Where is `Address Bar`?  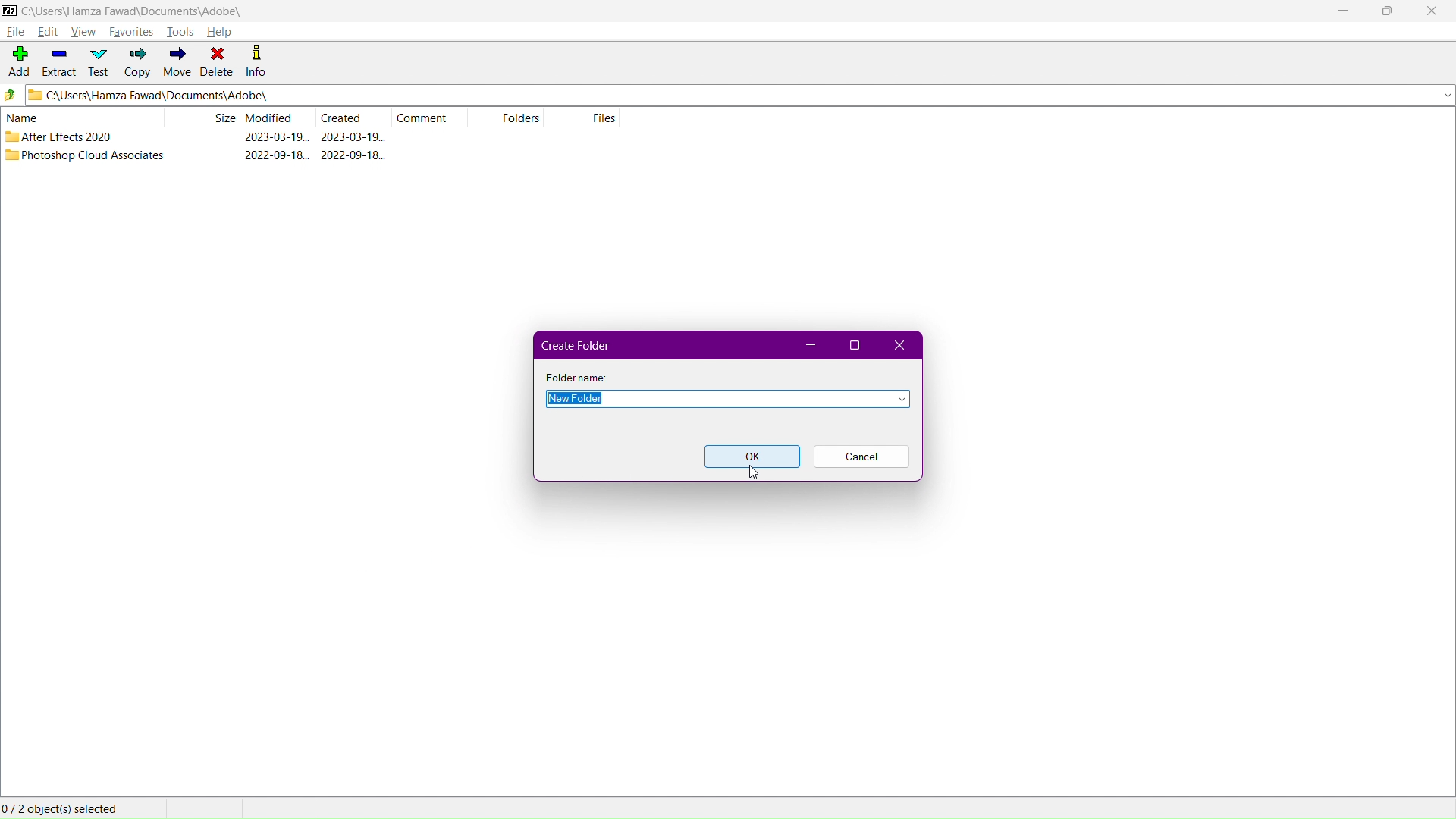
Address Bar is located at coordinates (739, 96).